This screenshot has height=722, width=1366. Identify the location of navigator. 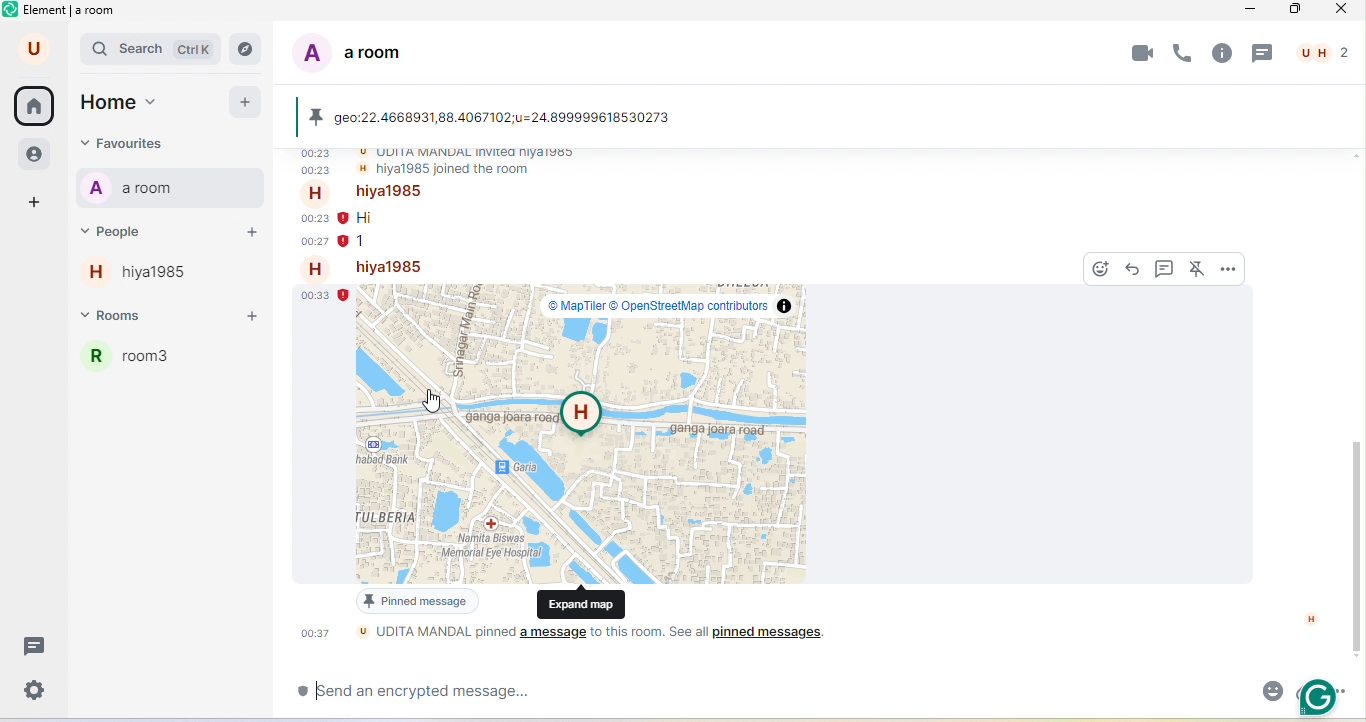
(251, 48).